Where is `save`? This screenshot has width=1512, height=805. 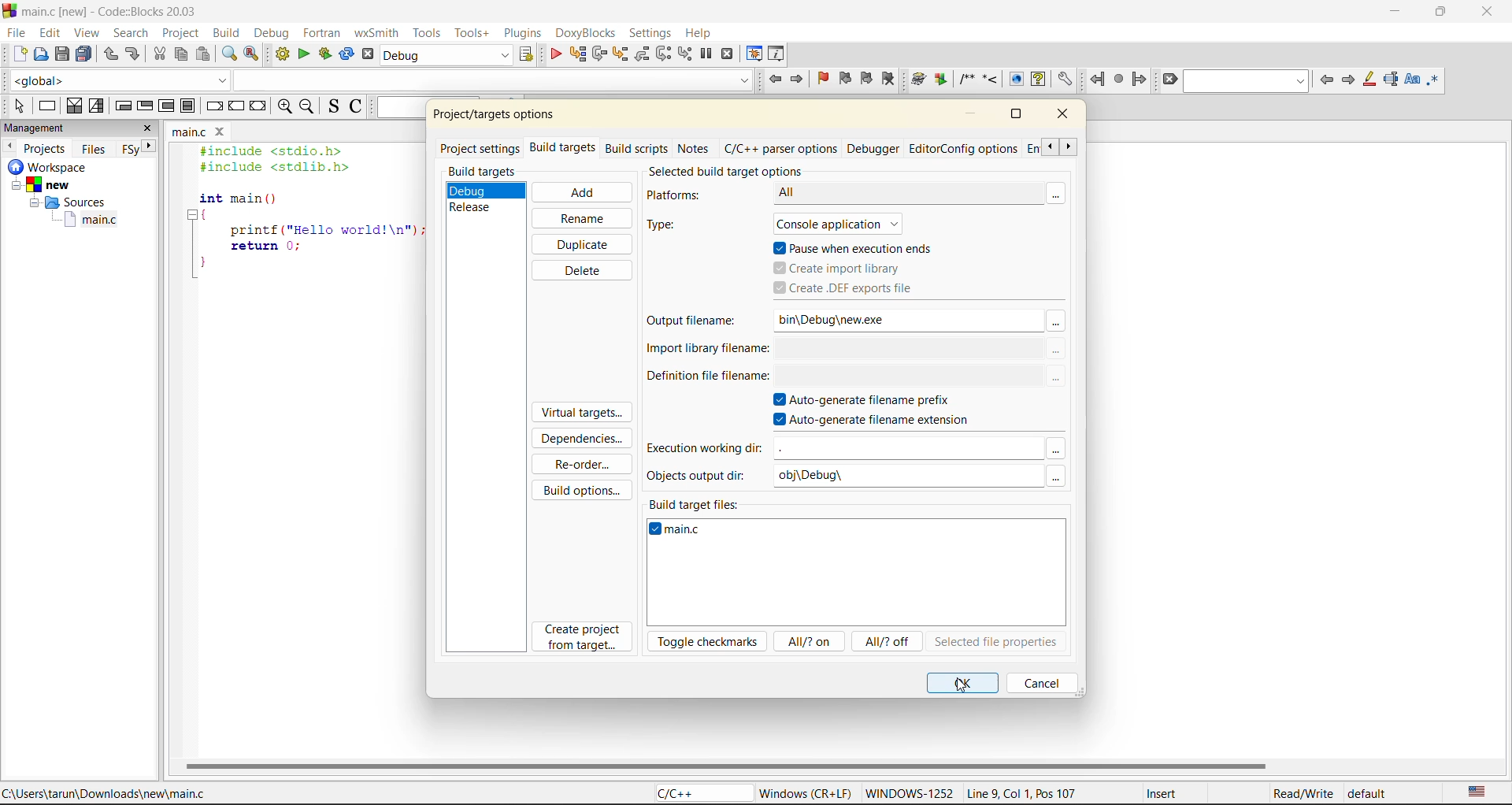 save is located at coordinates (65, 54).